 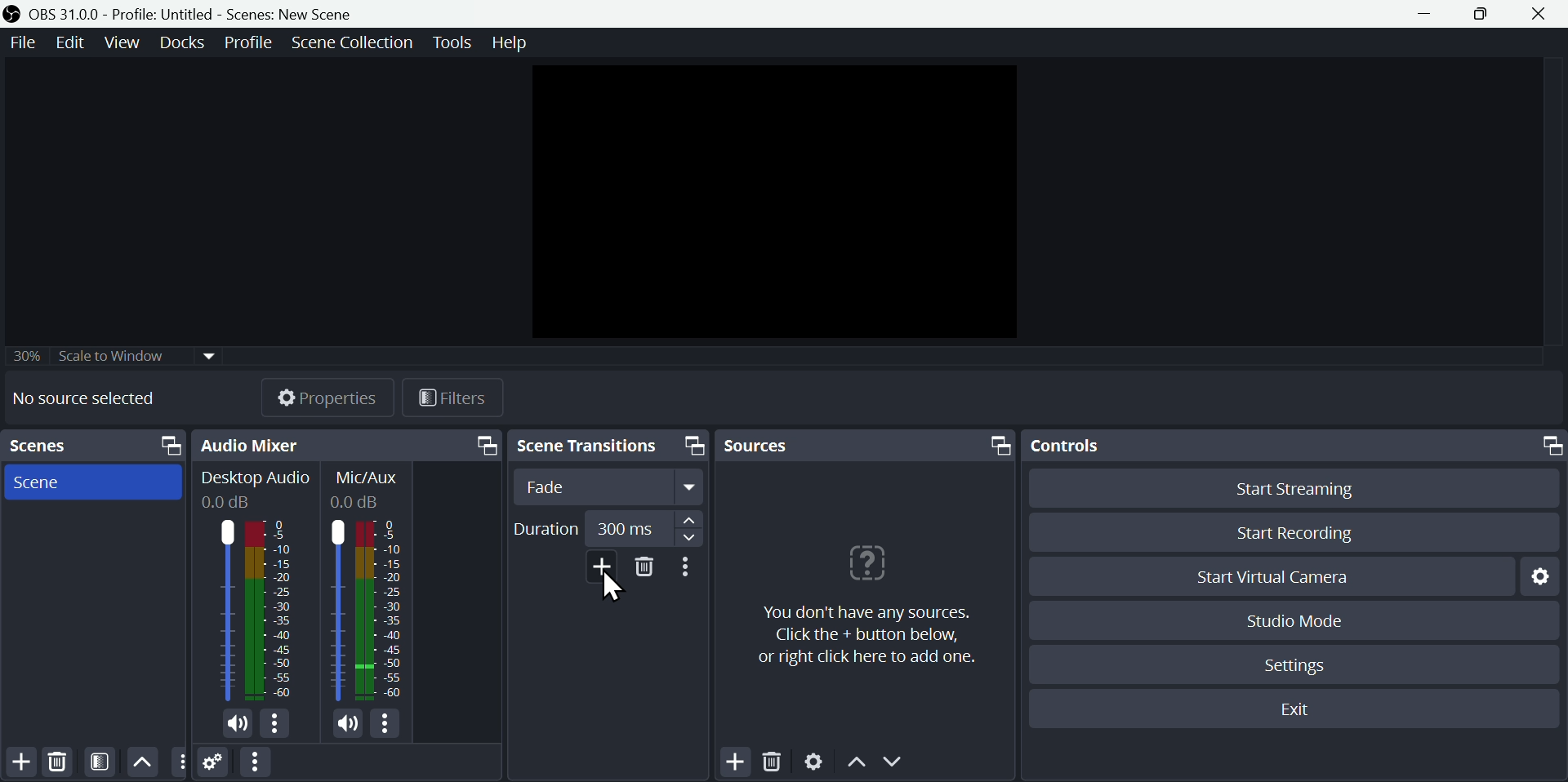 What do you see at coordinates (606, 567) in the screenshot?
I see `Add` at bounding box center [606, 567].